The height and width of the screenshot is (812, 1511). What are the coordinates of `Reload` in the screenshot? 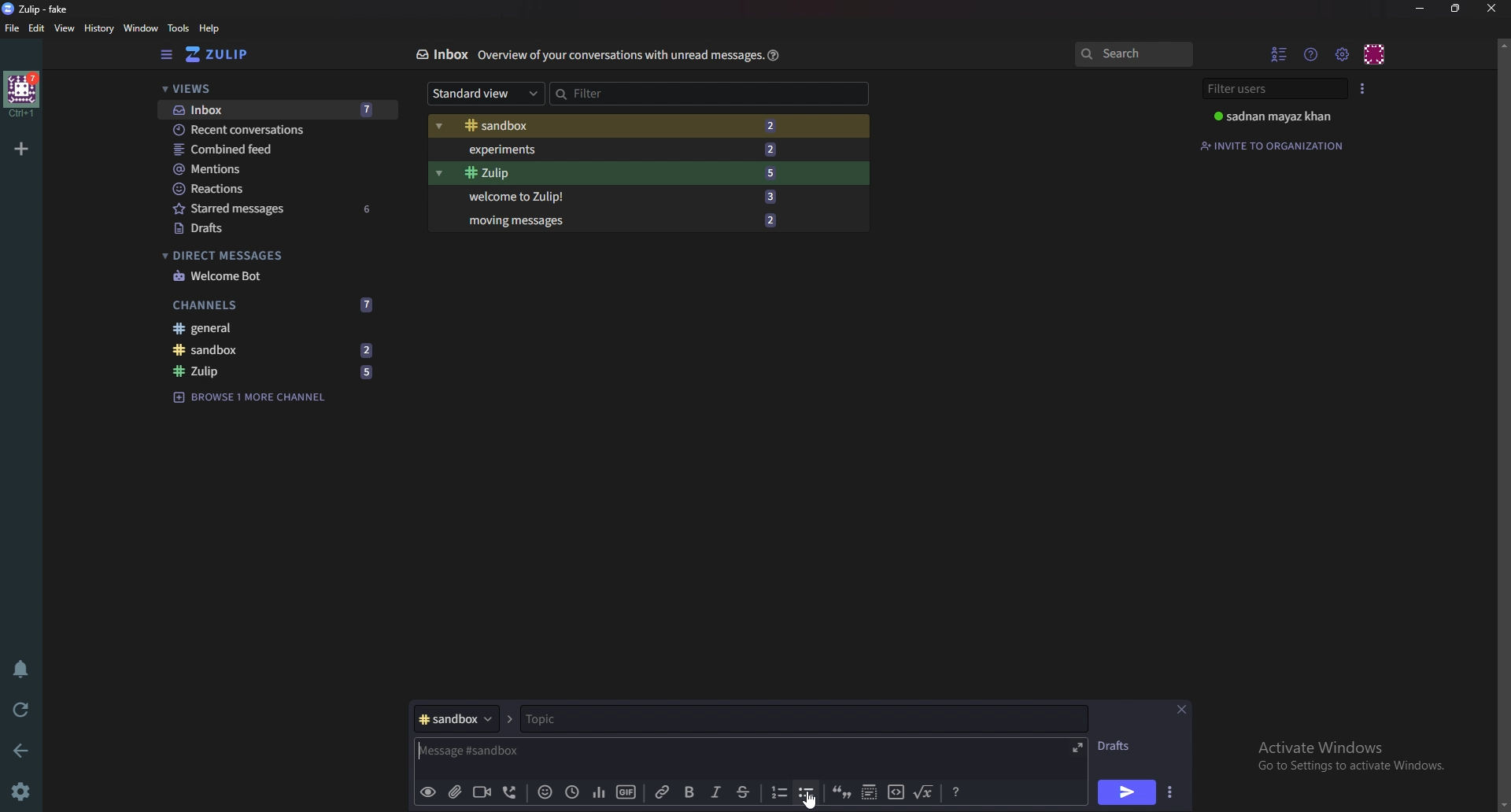 It's located at (21, 710).